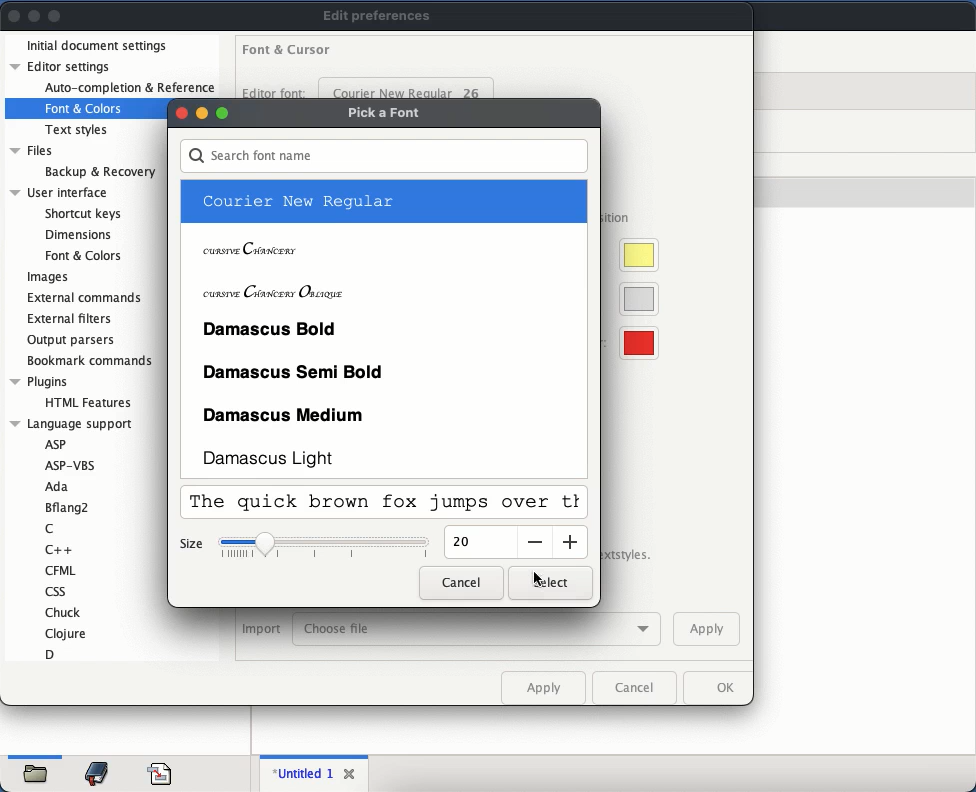  I want to click on apply, so click(706, 630).